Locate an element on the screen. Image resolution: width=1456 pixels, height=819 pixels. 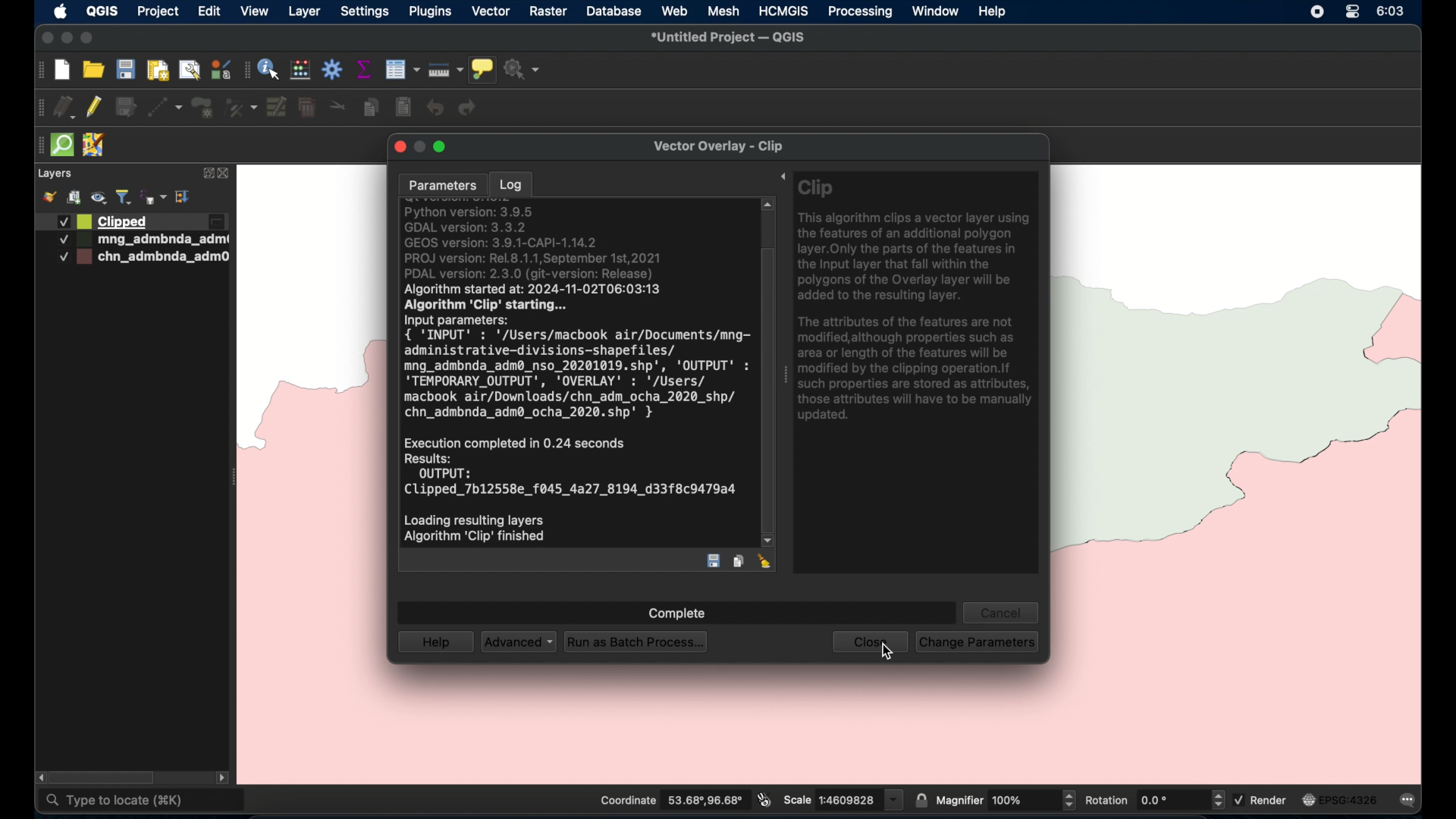
processing is located at coordinates (861, 13).